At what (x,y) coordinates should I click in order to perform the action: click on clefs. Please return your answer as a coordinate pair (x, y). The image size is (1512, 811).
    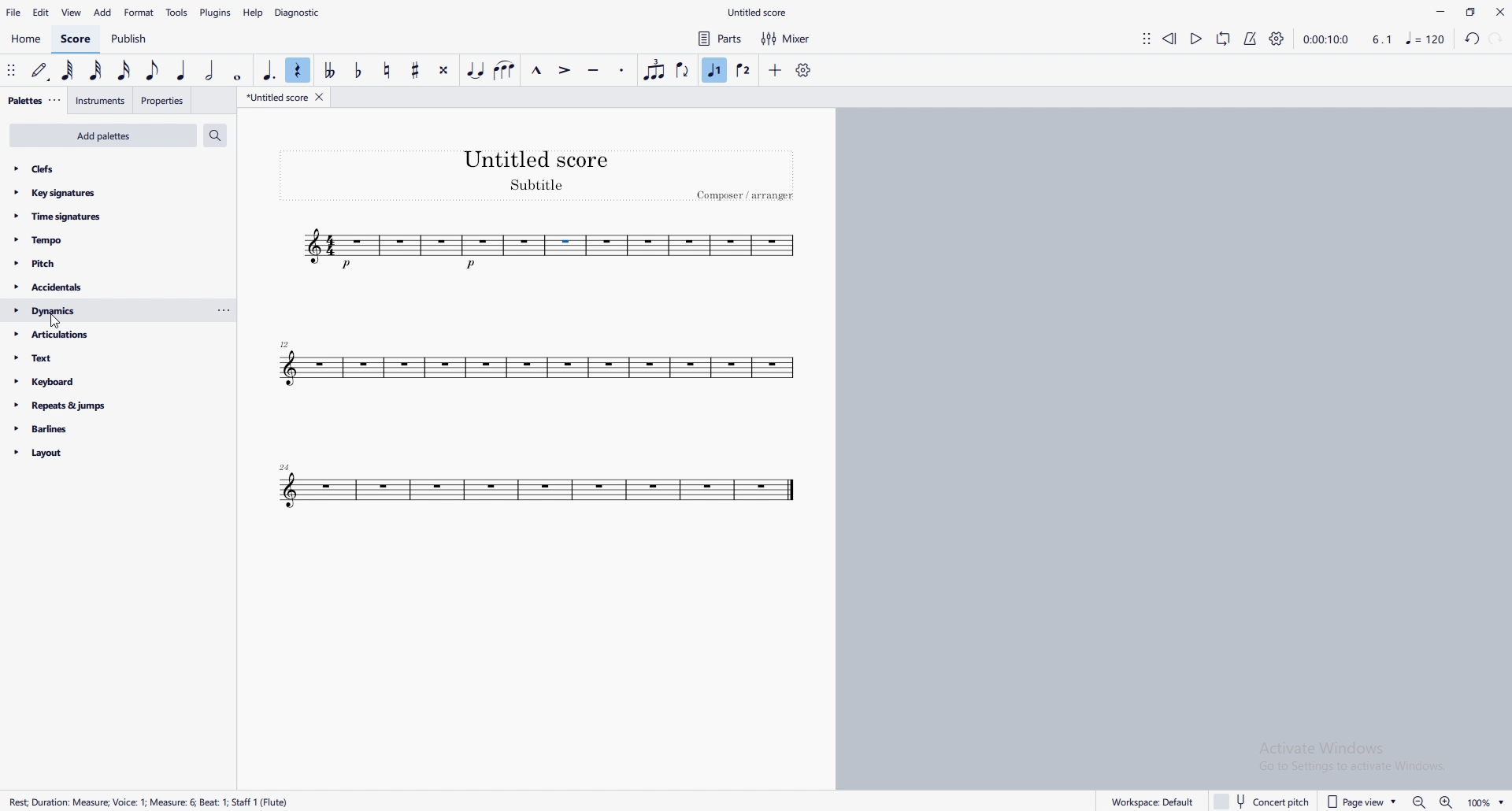
    Looking at the image, I should click on (102, 168).